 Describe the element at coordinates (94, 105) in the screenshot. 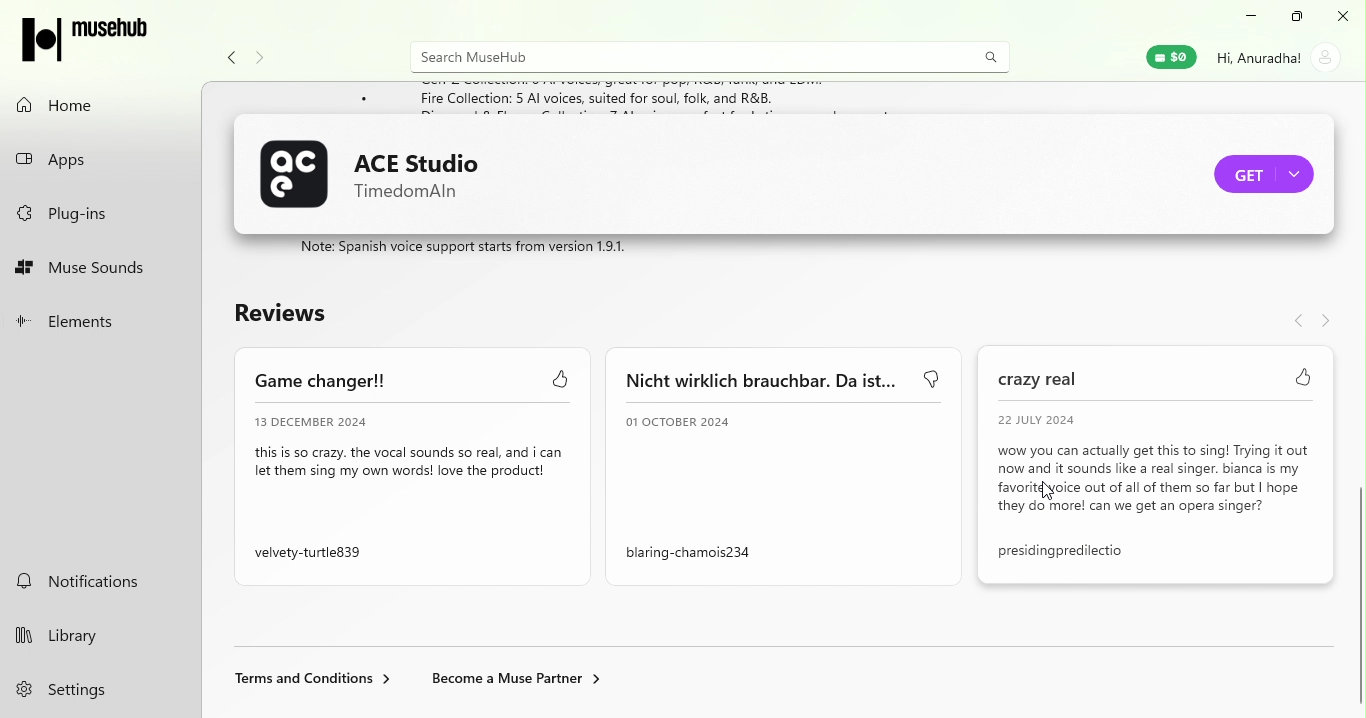

I see `home` at that location.